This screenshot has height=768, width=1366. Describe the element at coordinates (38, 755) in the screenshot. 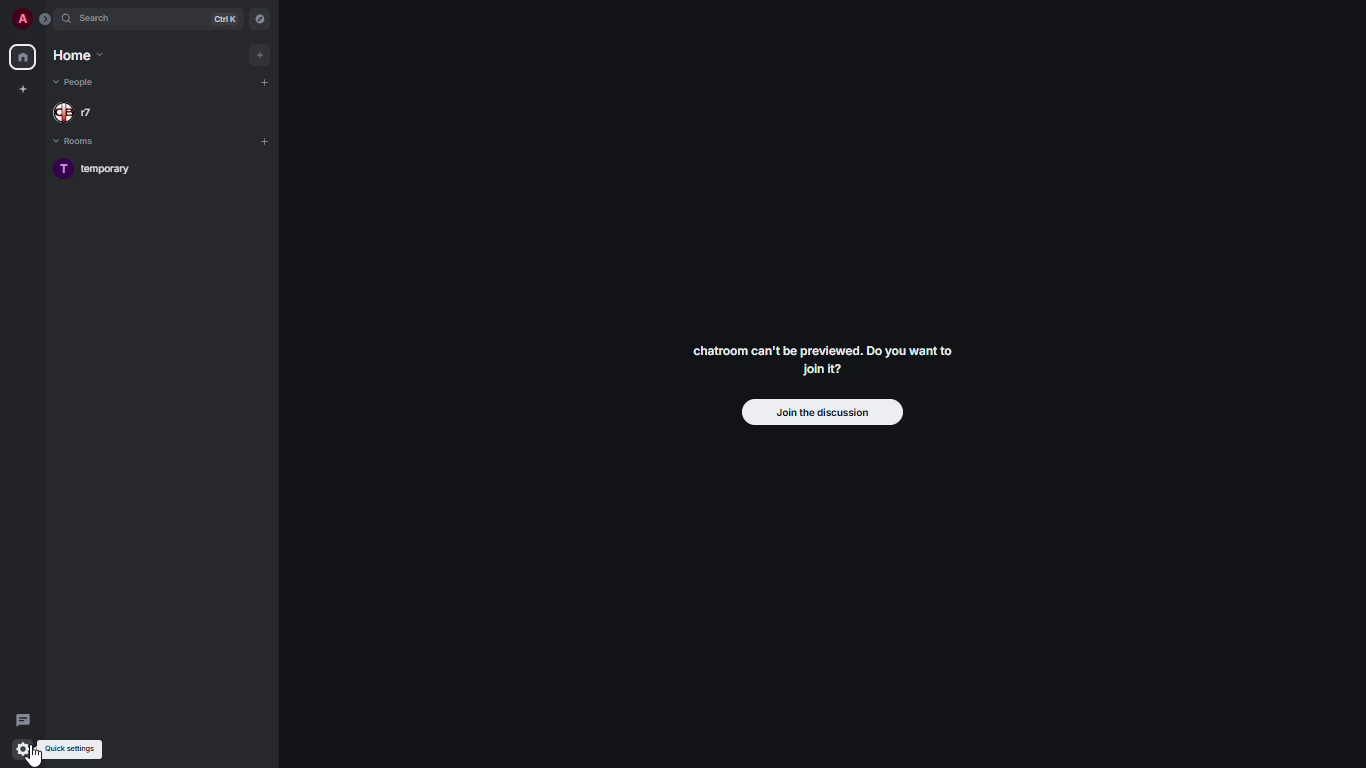

I see `cursor` at that location.